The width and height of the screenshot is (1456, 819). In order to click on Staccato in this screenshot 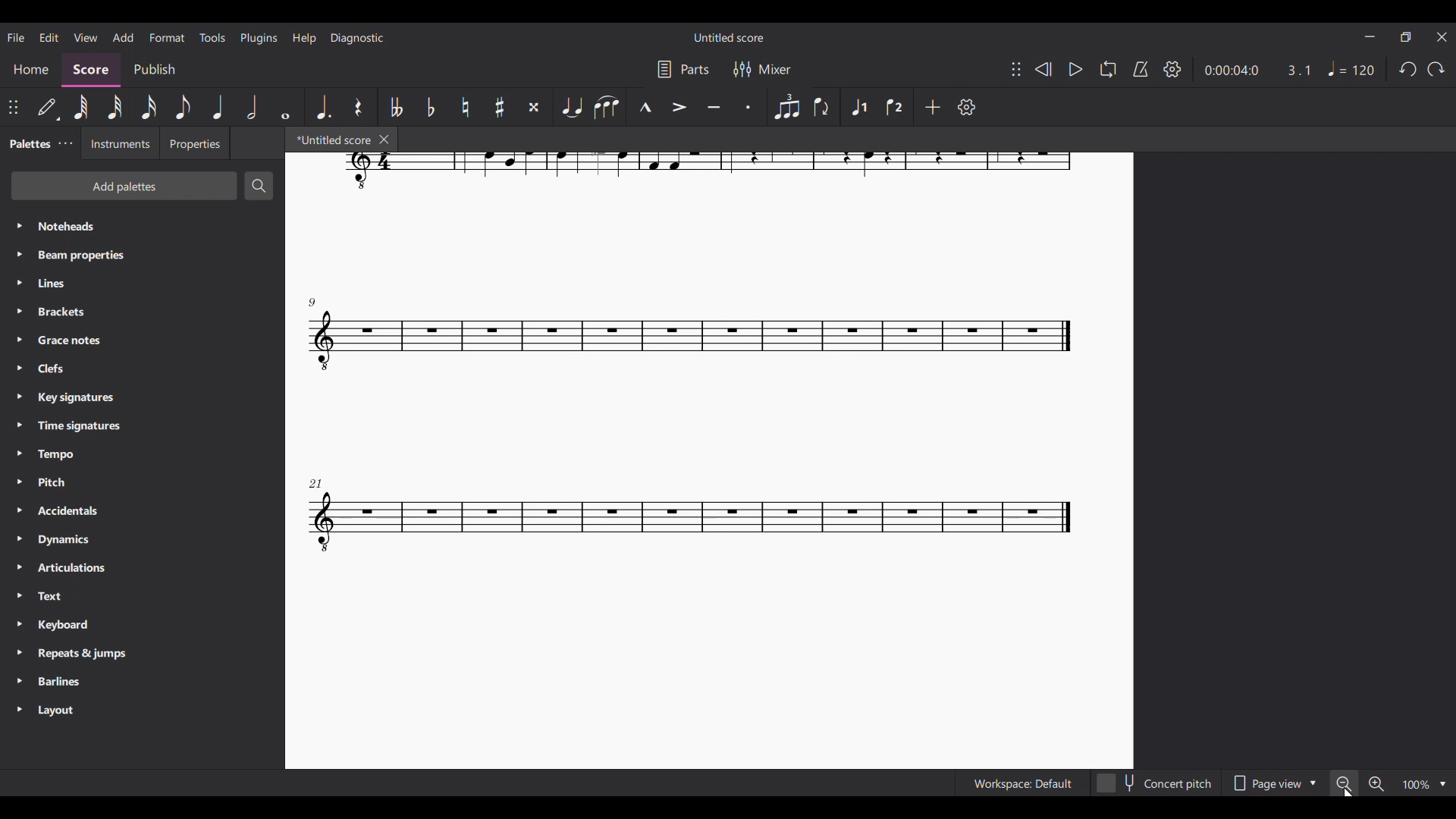, I will do `click(748, 107)`.